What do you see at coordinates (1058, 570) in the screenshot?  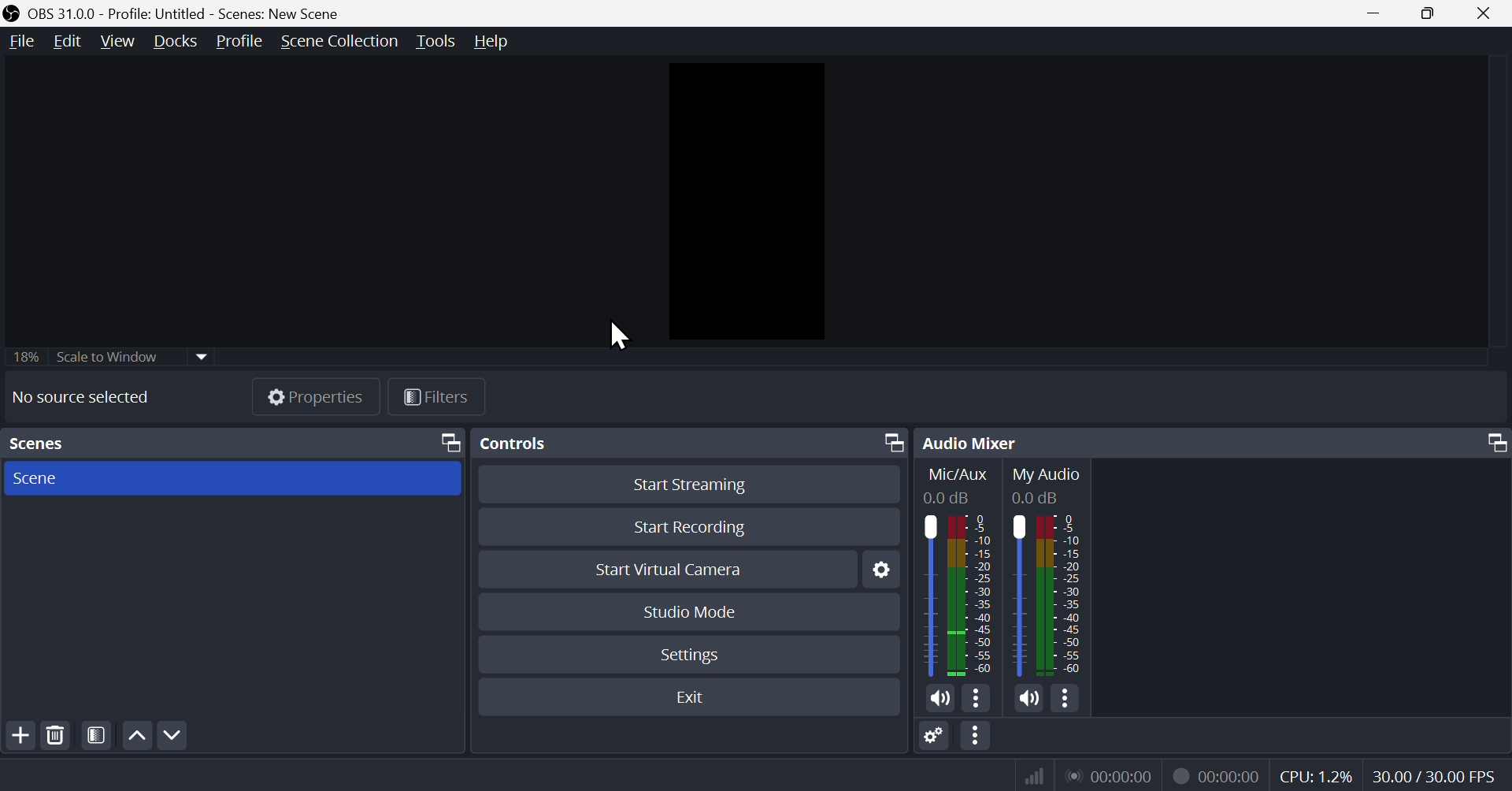 I see `My Audio` at bounding box center [1058, 570].